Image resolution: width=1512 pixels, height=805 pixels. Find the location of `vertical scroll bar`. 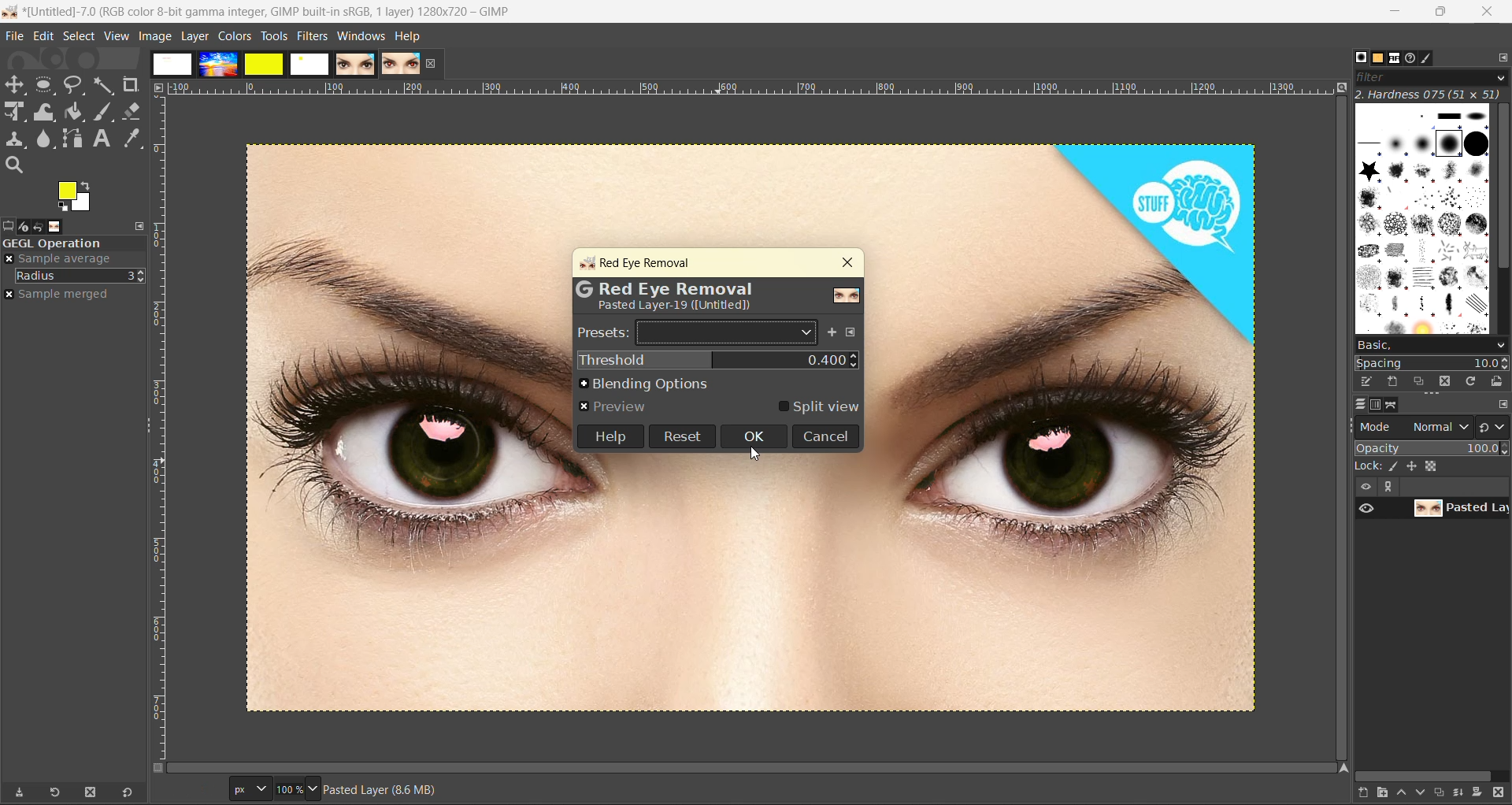

vertical scroll bar is located at coordinates (1503, 193).